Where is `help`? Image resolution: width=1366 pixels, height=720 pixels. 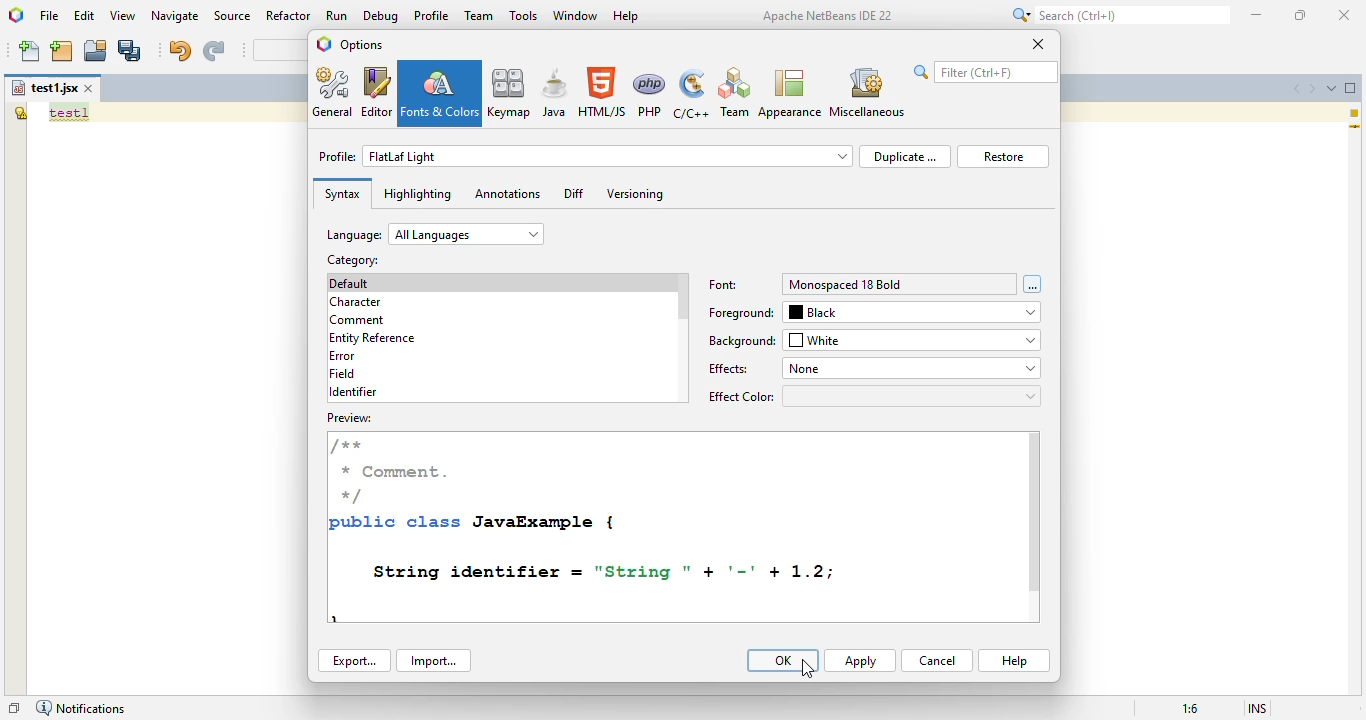
help is located at coordinates (1014, 661).